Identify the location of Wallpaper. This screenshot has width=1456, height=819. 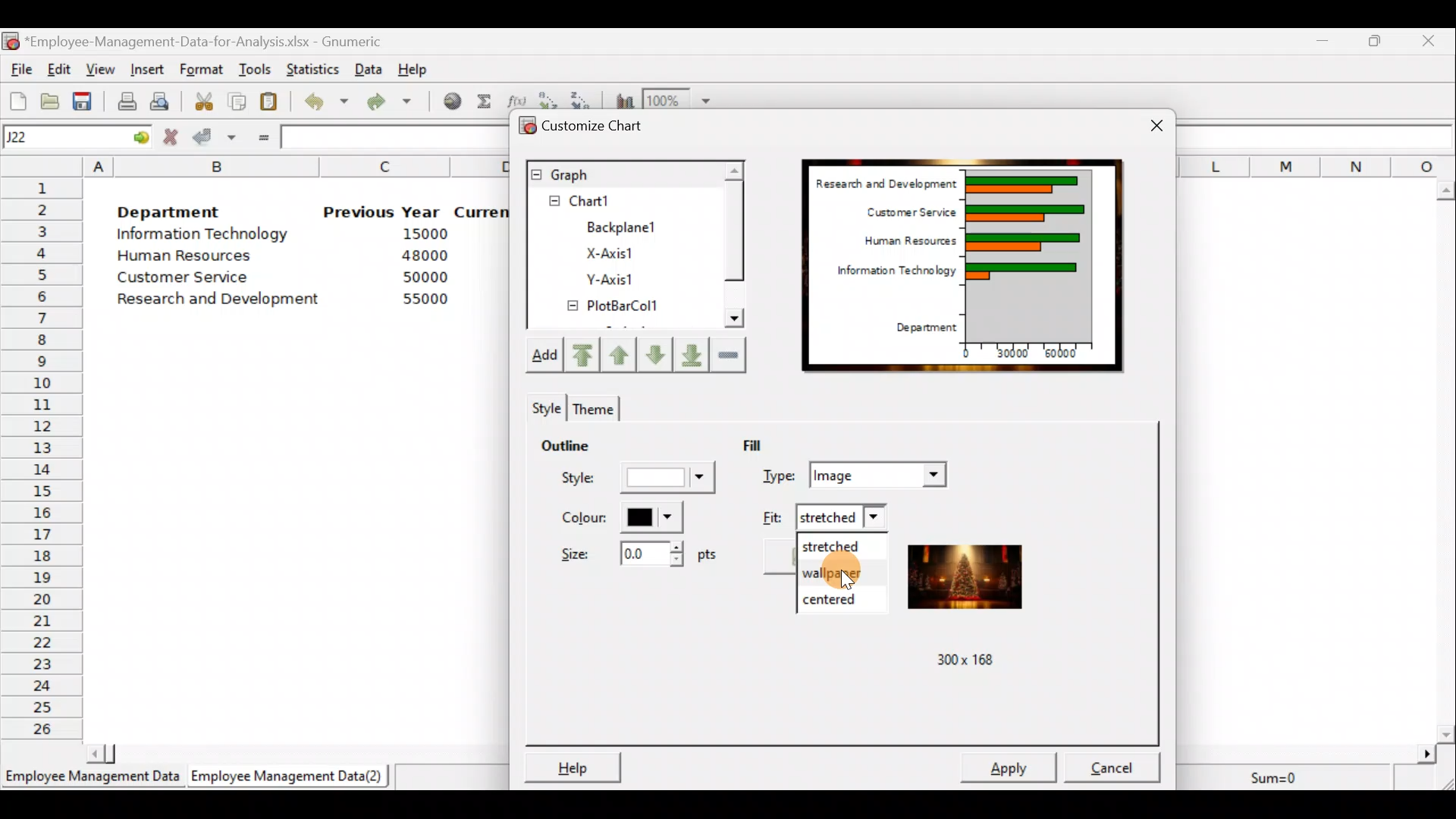
(839, 572).